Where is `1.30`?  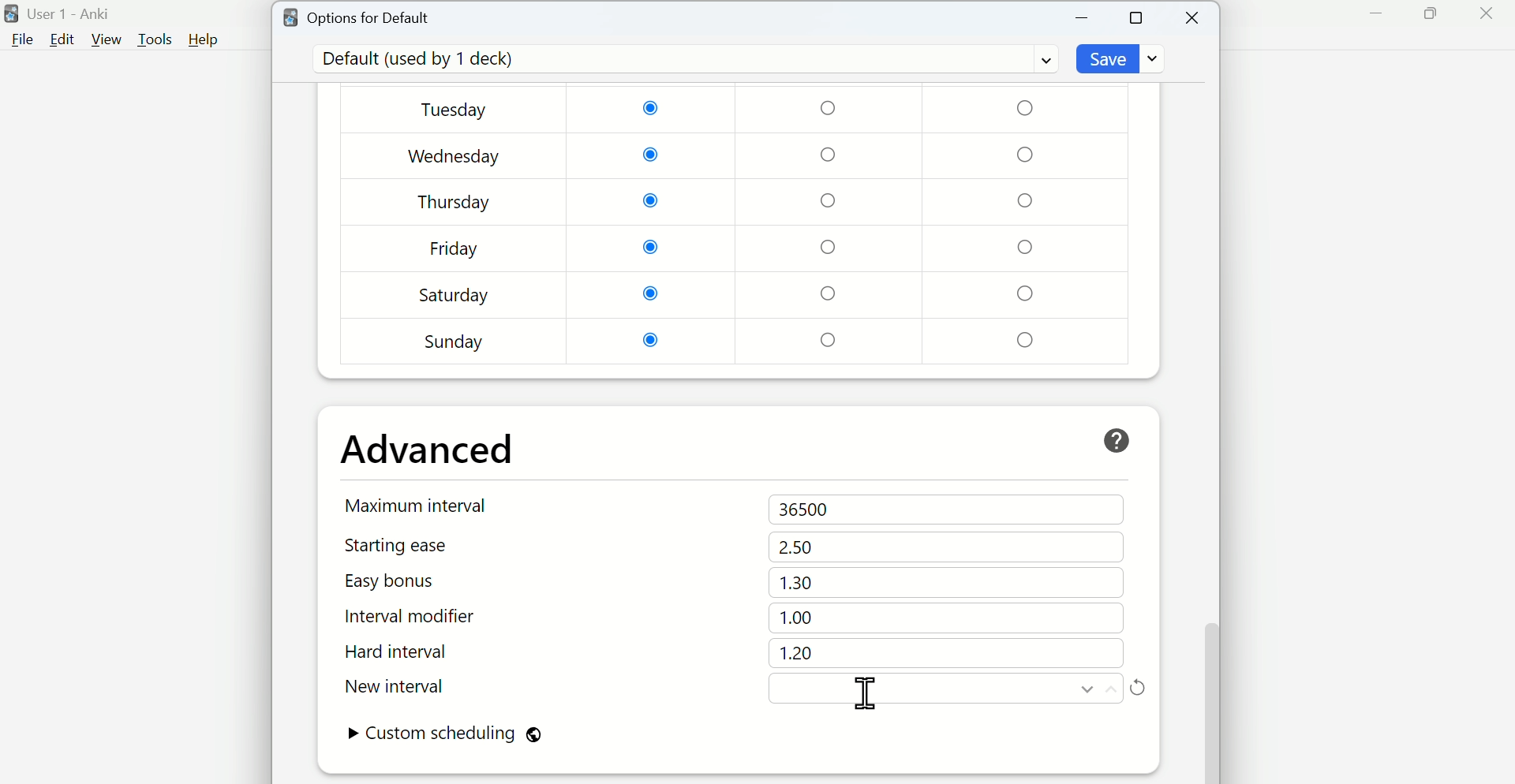 1.30 is located at coordinates (796, 582).